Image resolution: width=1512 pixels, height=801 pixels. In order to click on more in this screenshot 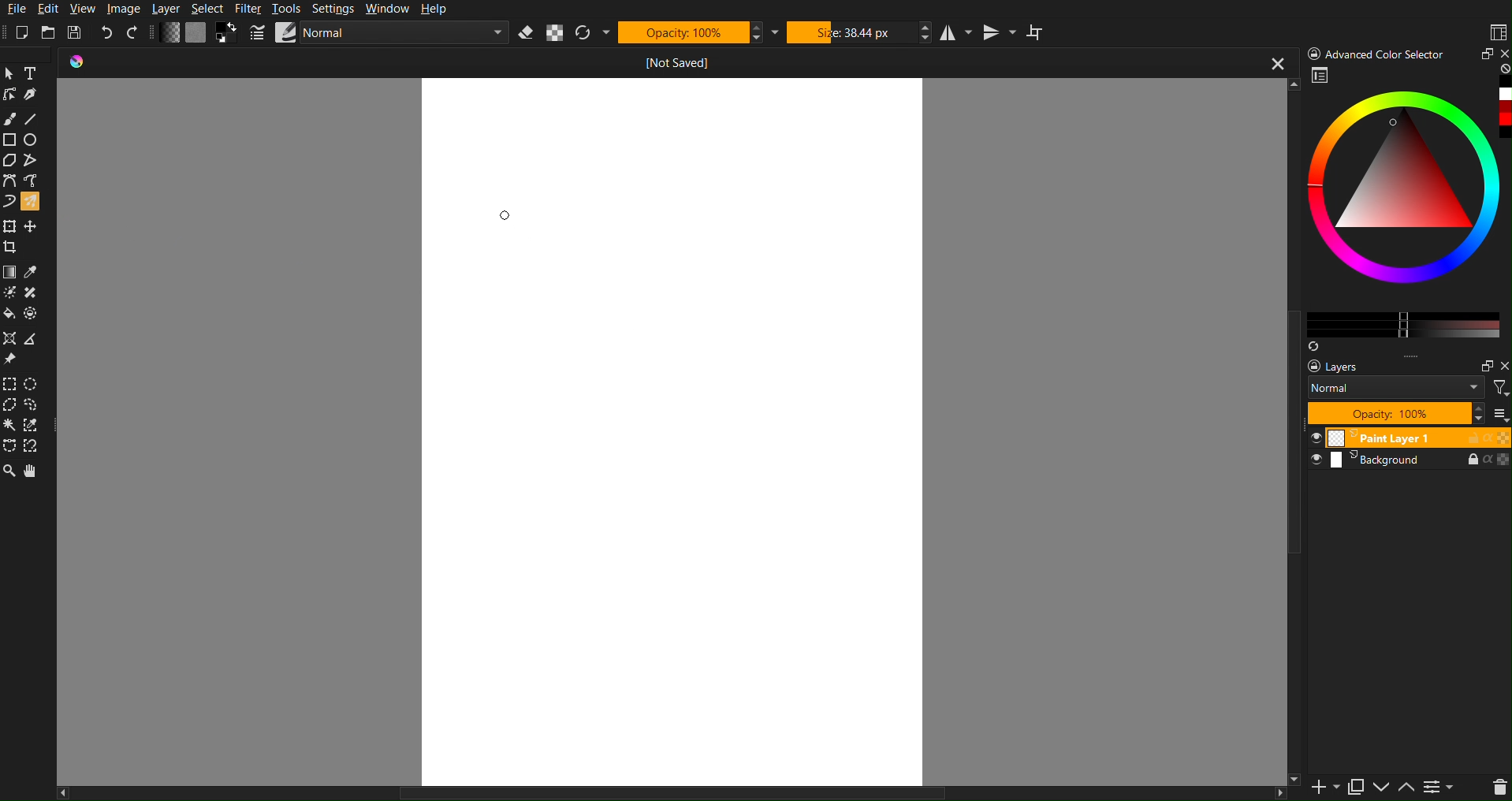, I will do `click(1424, 356)`.